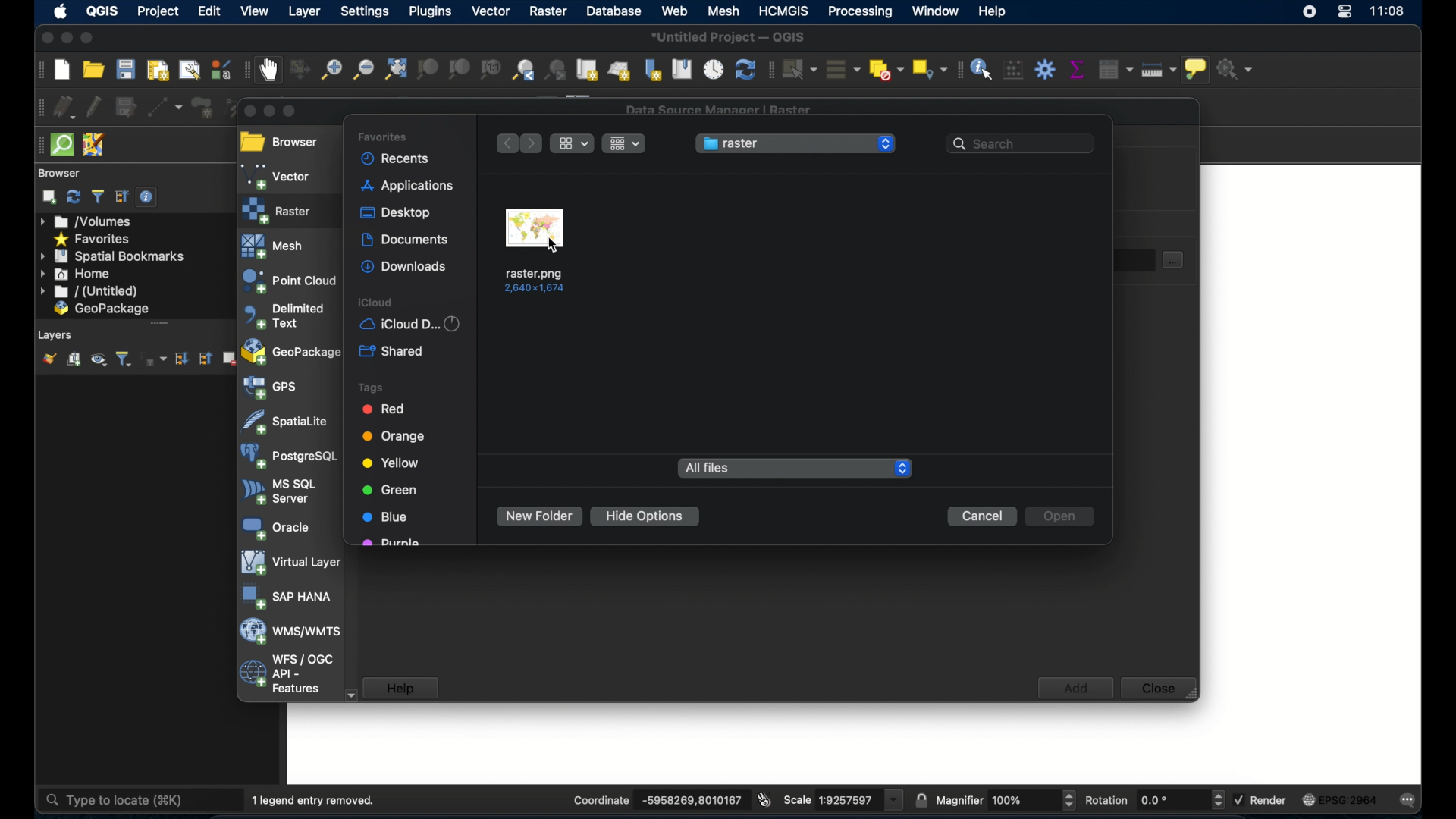  What do you see at coordinates (394, 543) in the screenshot?
I see `purple` at bounding box center [394, 543].